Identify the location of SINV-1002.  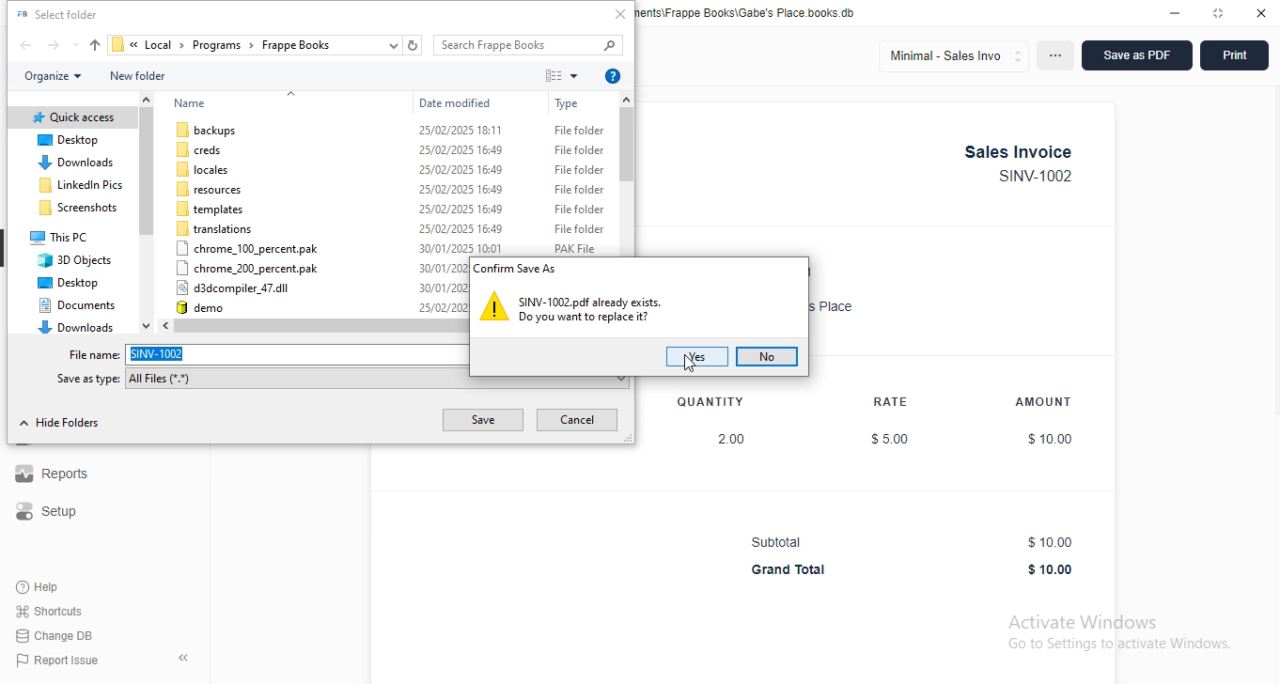
(1035, 176).